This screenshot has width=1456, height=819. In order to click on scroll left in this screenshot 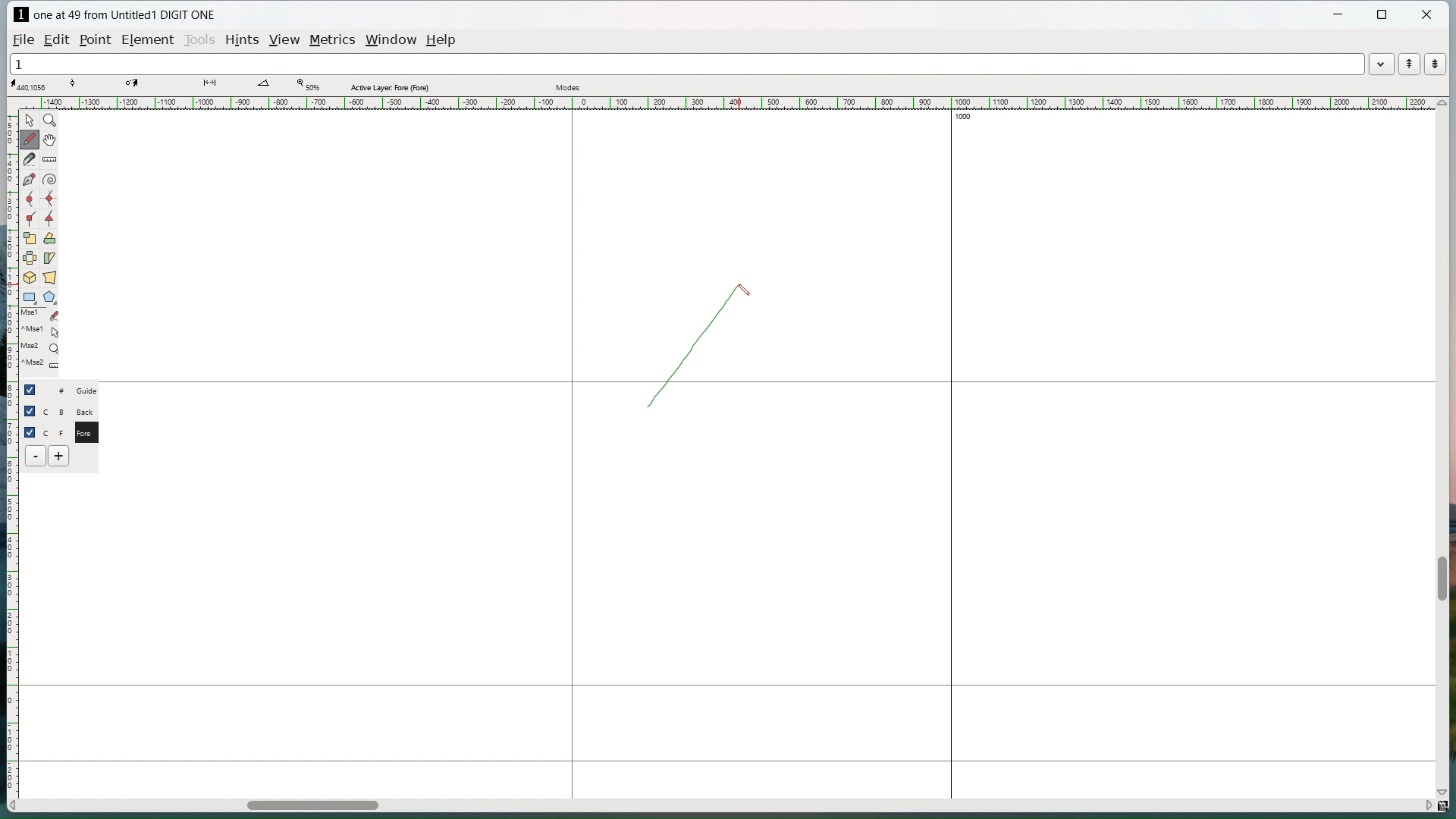, I will do `click(14, 806)`.